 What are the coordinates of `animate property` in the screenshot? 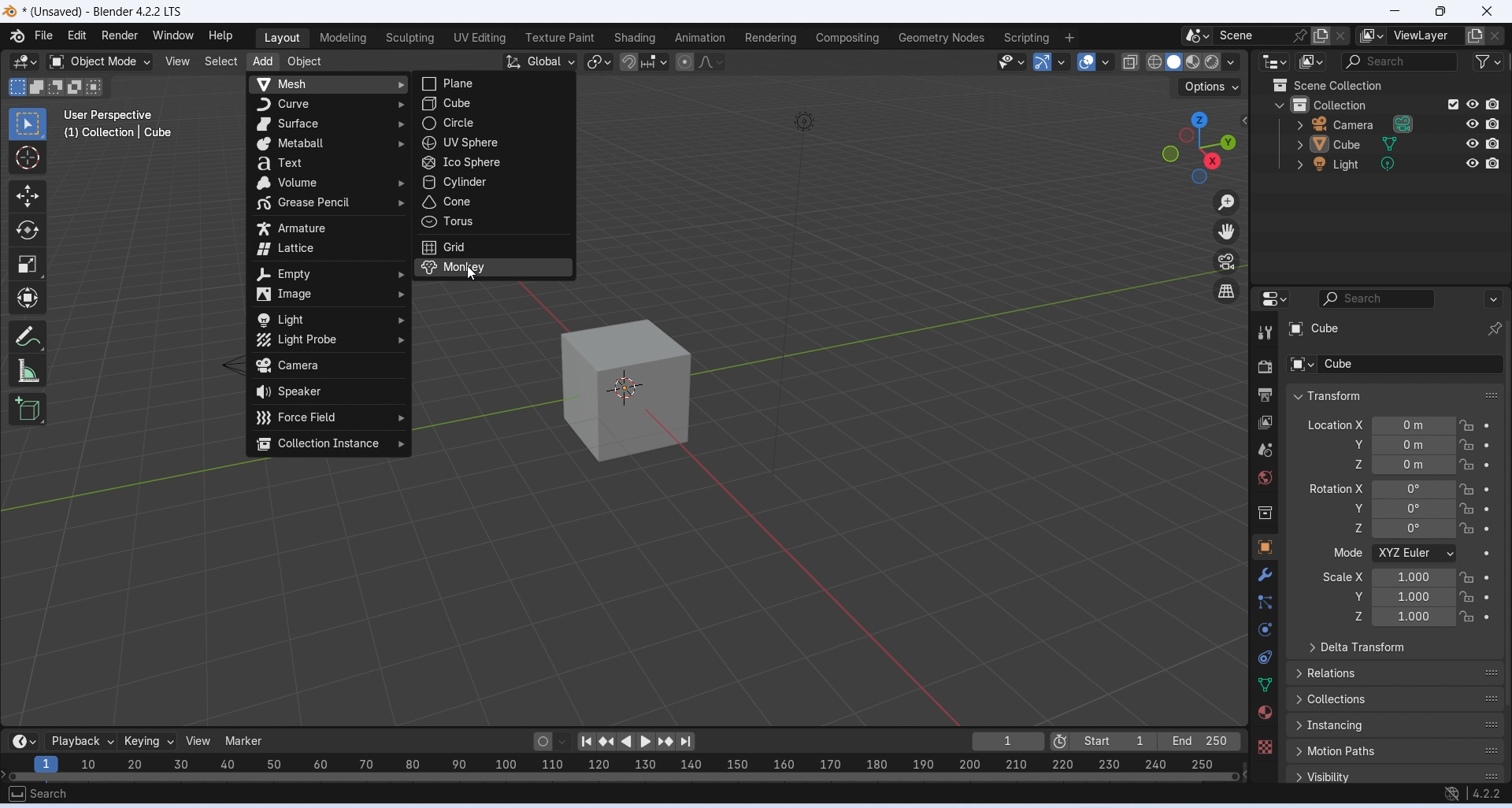 It's located at (1487, 529).